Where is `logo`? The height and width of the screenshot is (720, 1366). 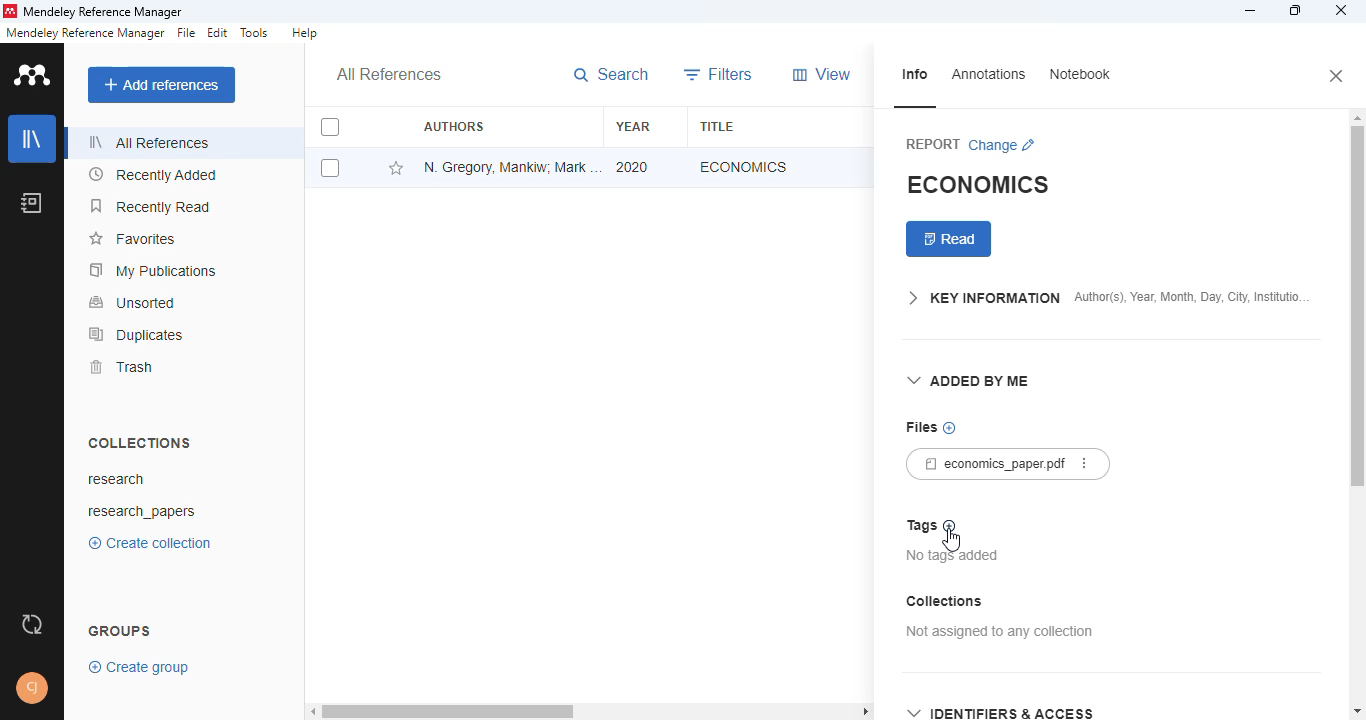
logo is located at coordinates (34, 76).